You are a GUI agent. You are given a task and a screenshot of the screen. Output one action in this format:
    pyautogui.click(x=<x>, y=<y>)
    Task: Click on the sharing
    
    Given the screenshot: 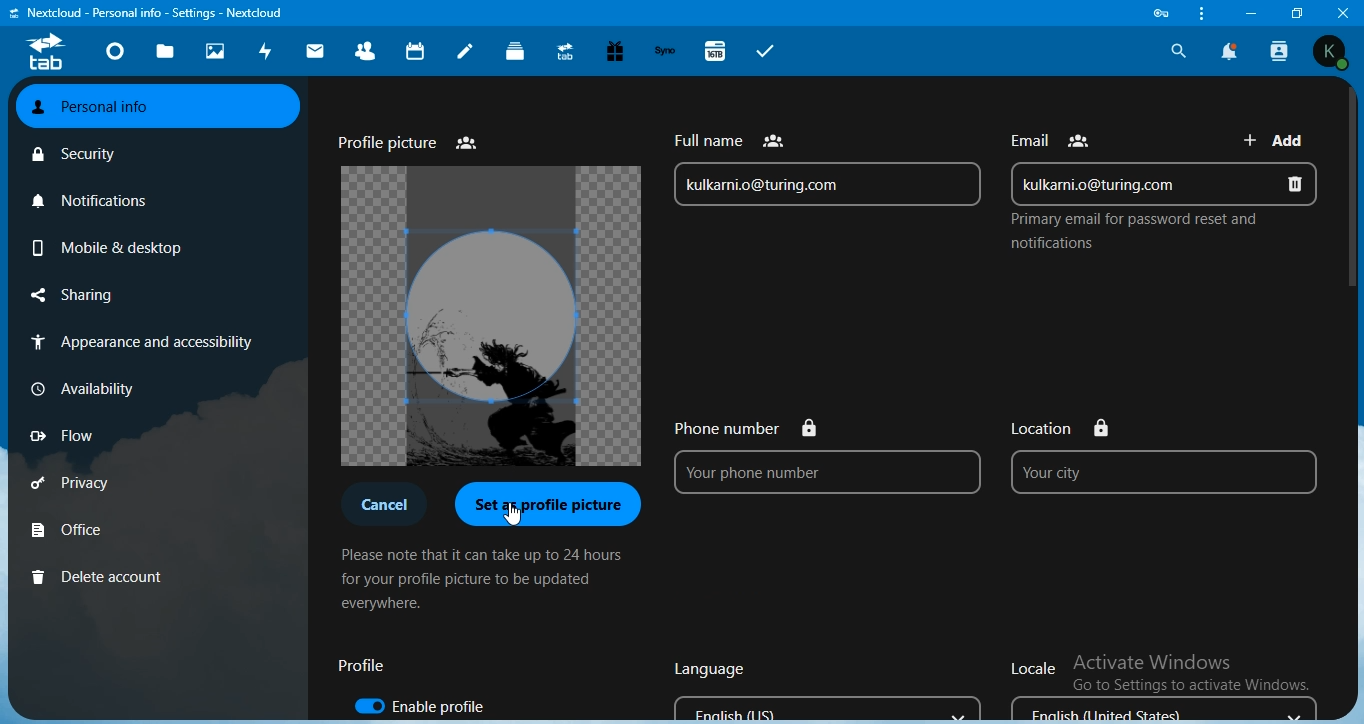 What is the action you would take?
    pyautogui.click(x=73, y=295)
    